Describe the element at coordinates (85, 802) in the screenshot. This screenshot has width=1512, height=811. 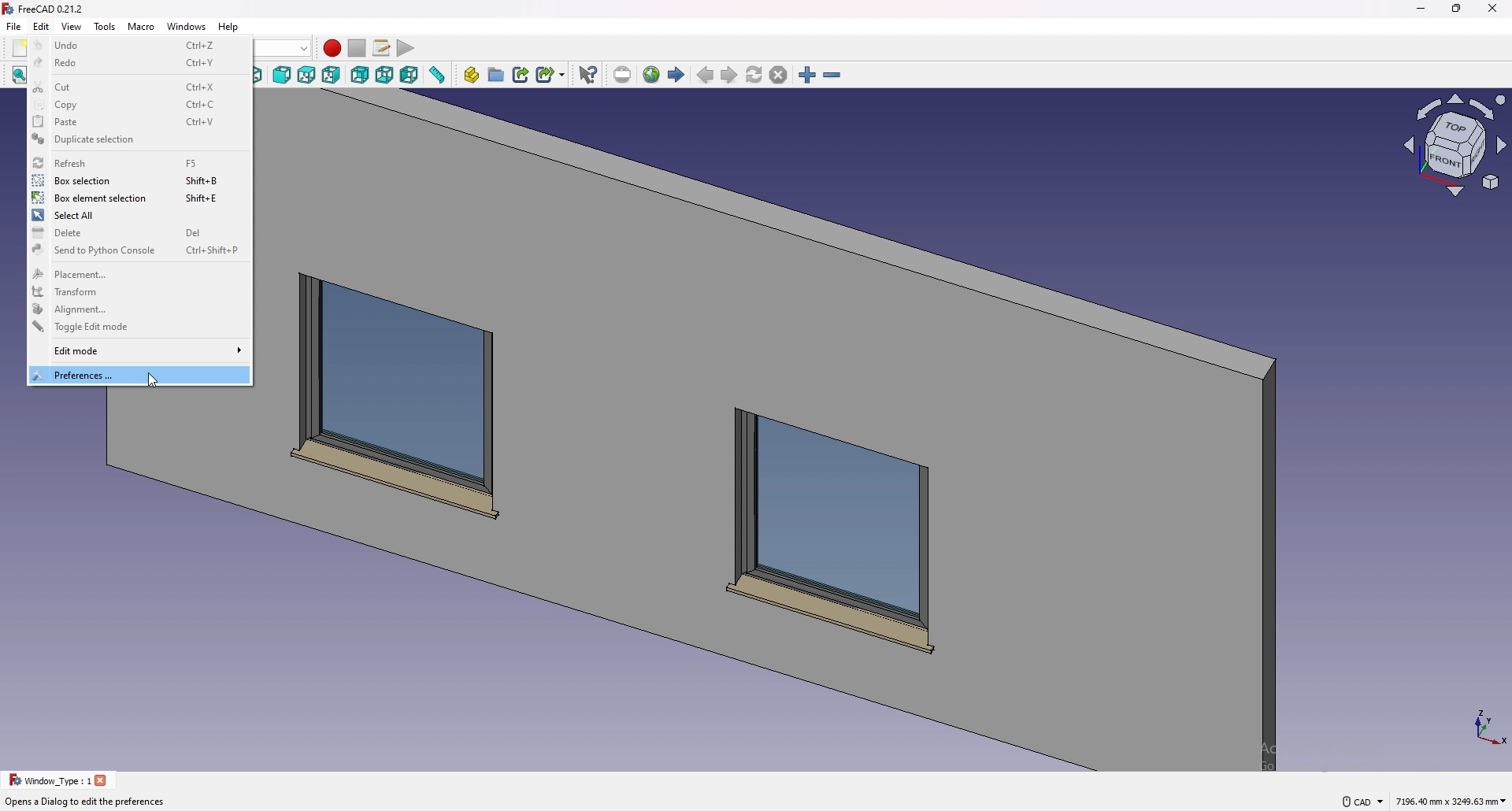
I see `Opens 2 Dialog to edit the preferences` at that location.